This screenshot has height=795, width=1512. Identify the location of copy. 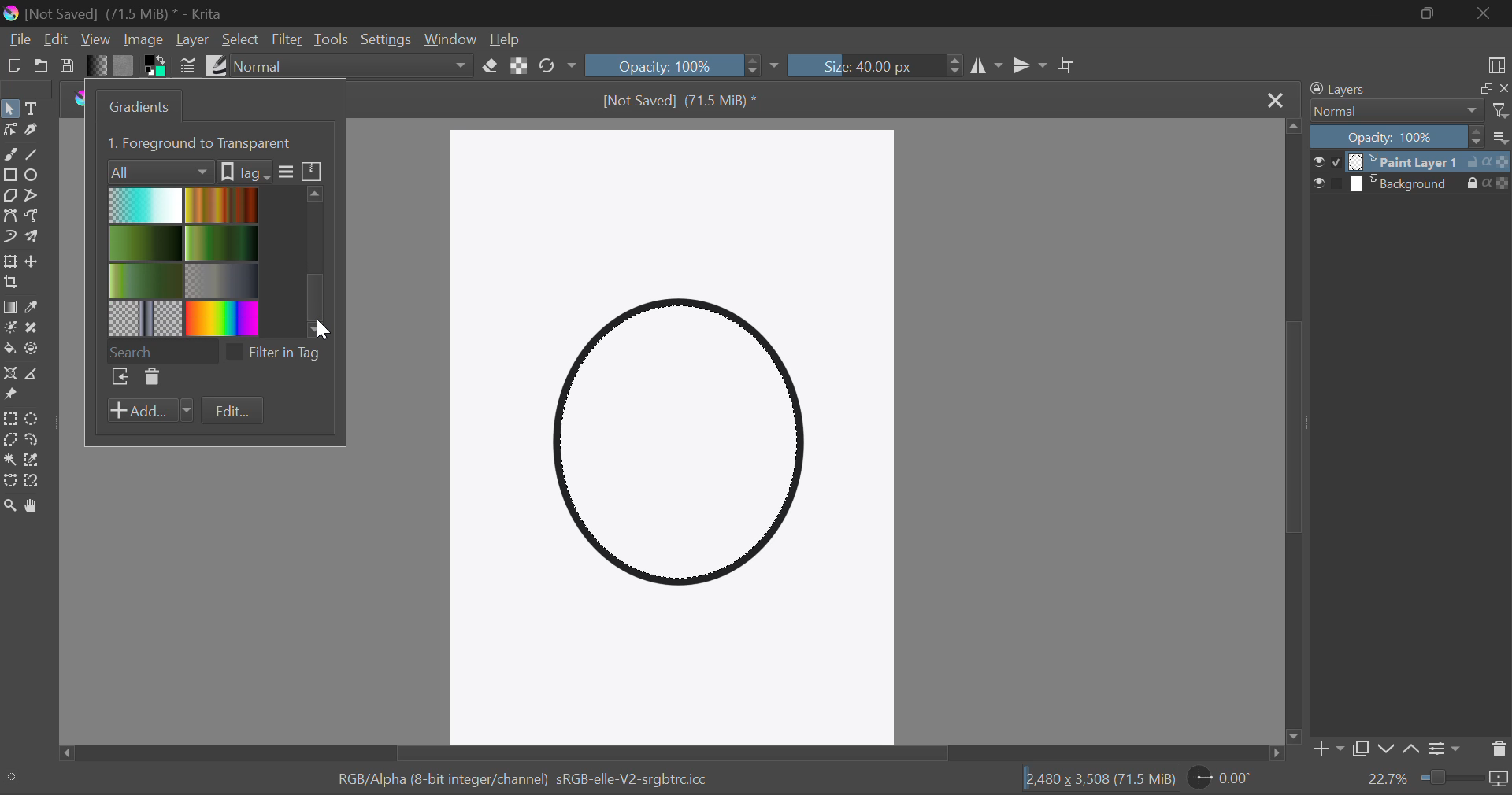
(1485, 87).